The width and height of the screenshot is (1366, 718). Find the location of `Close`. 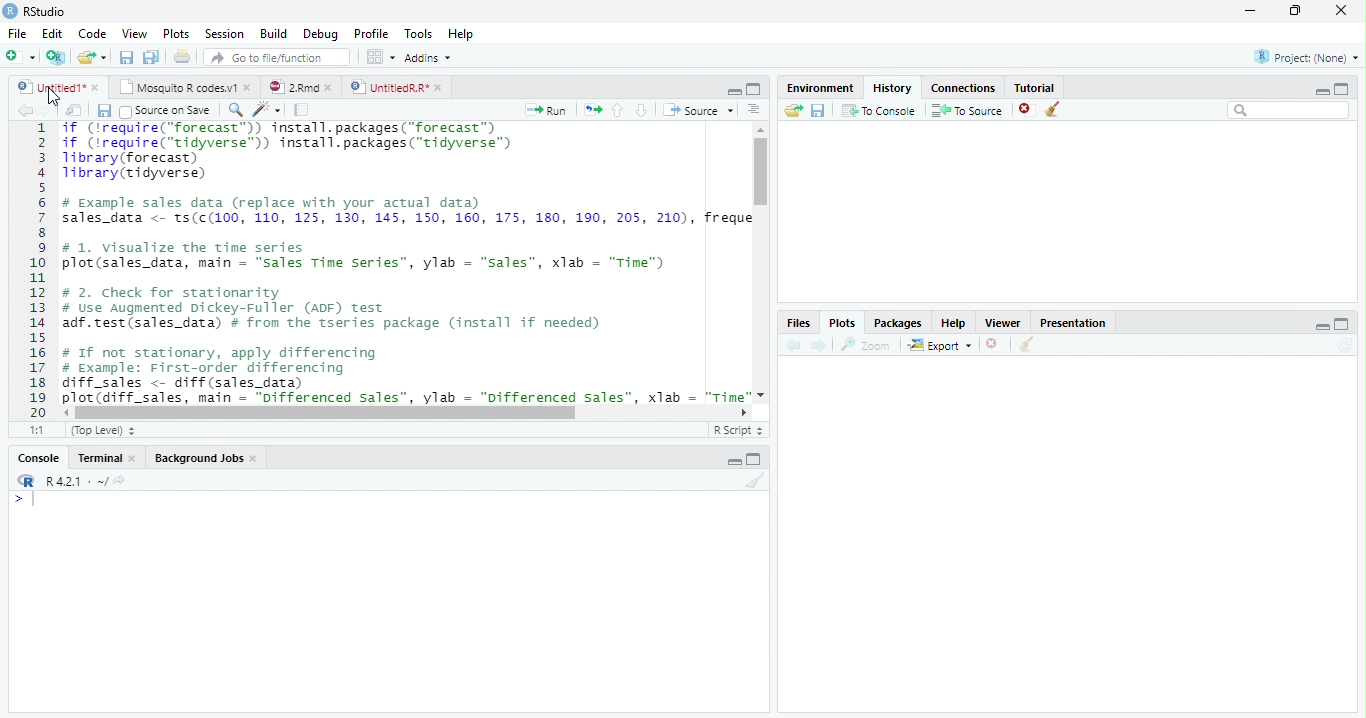

Close is located at coordinates (1343, 11).